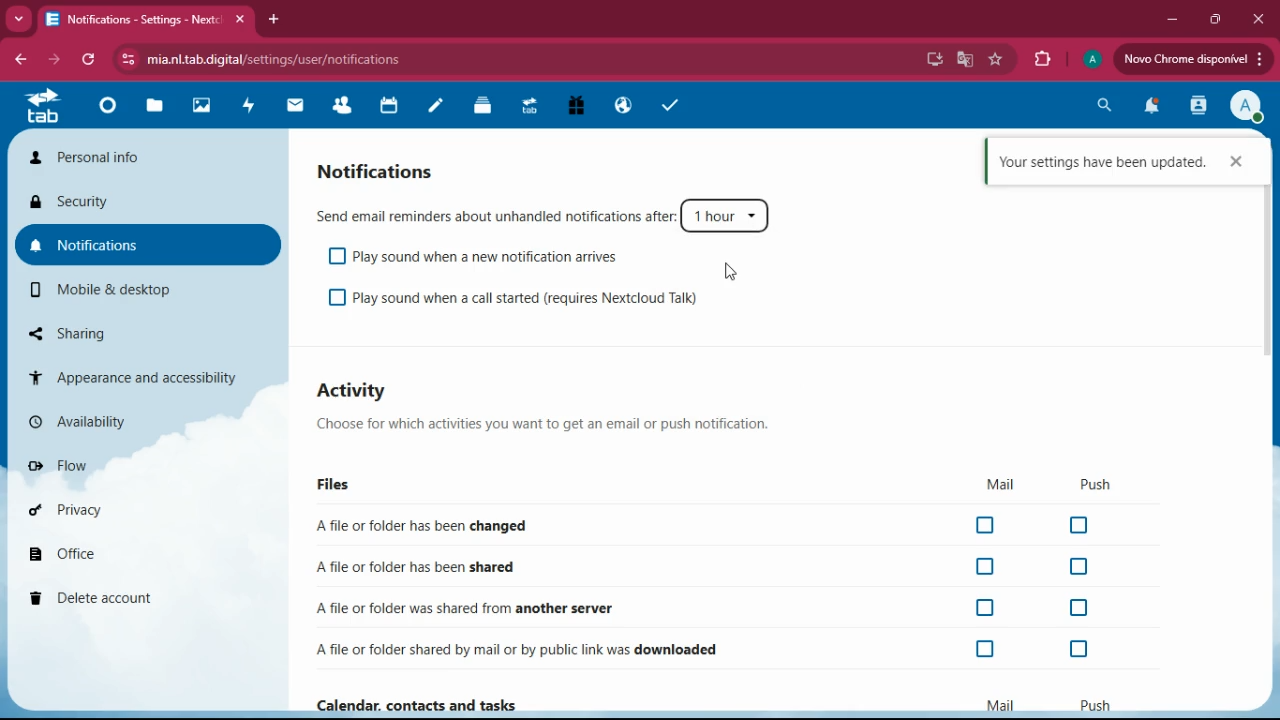 Image resolution: width=1280 pixels, height=720 pixels. Describe the element at coordinates (150, 21) in the screenshot. I see `tab` at that location.